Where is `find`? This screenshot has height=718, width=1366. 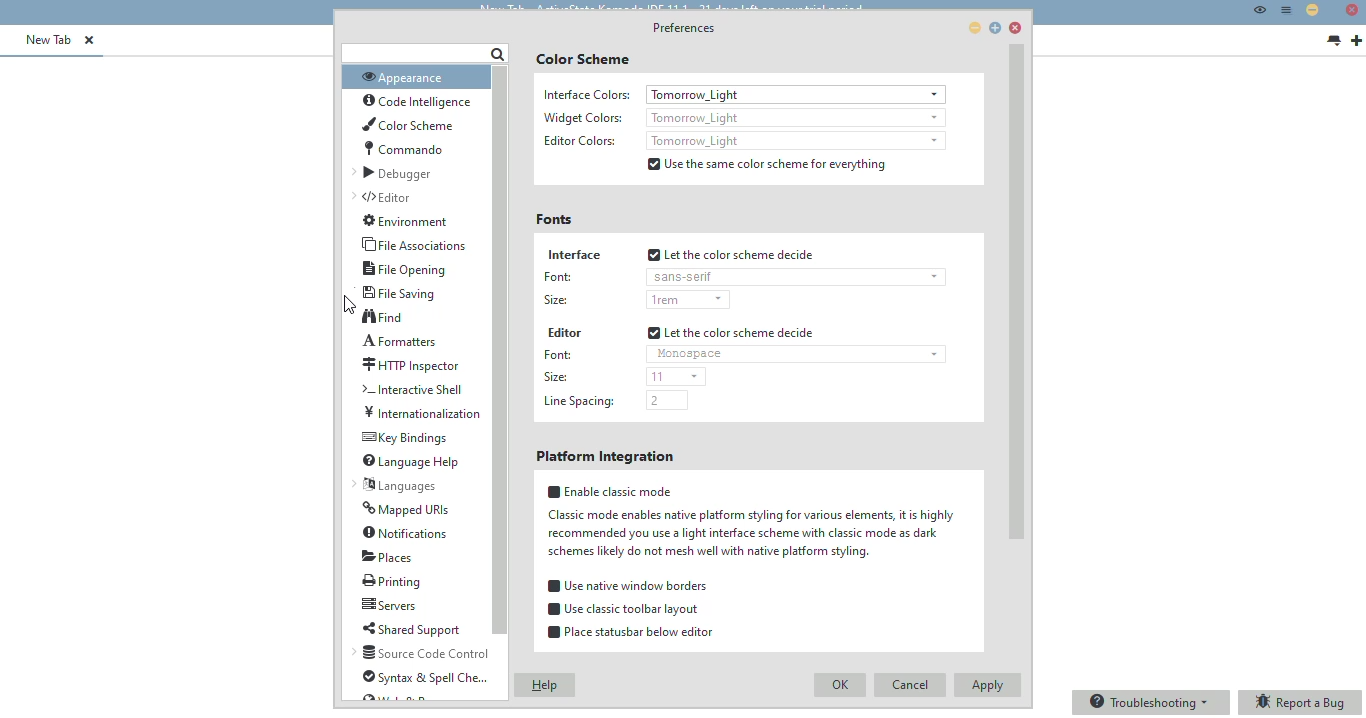
find is located at coordinates (383, 316).